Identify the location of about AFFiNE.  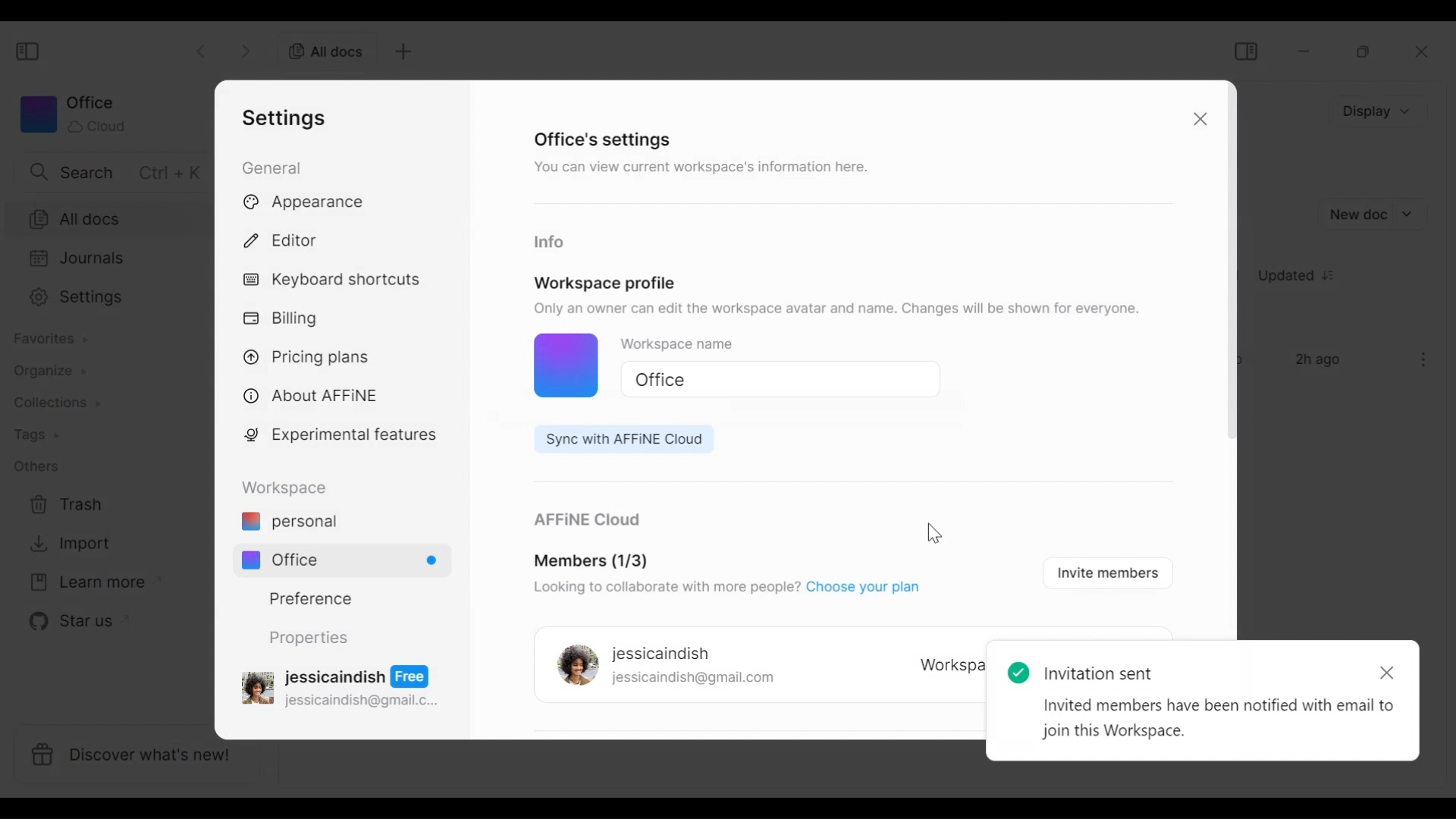
(312, 397).